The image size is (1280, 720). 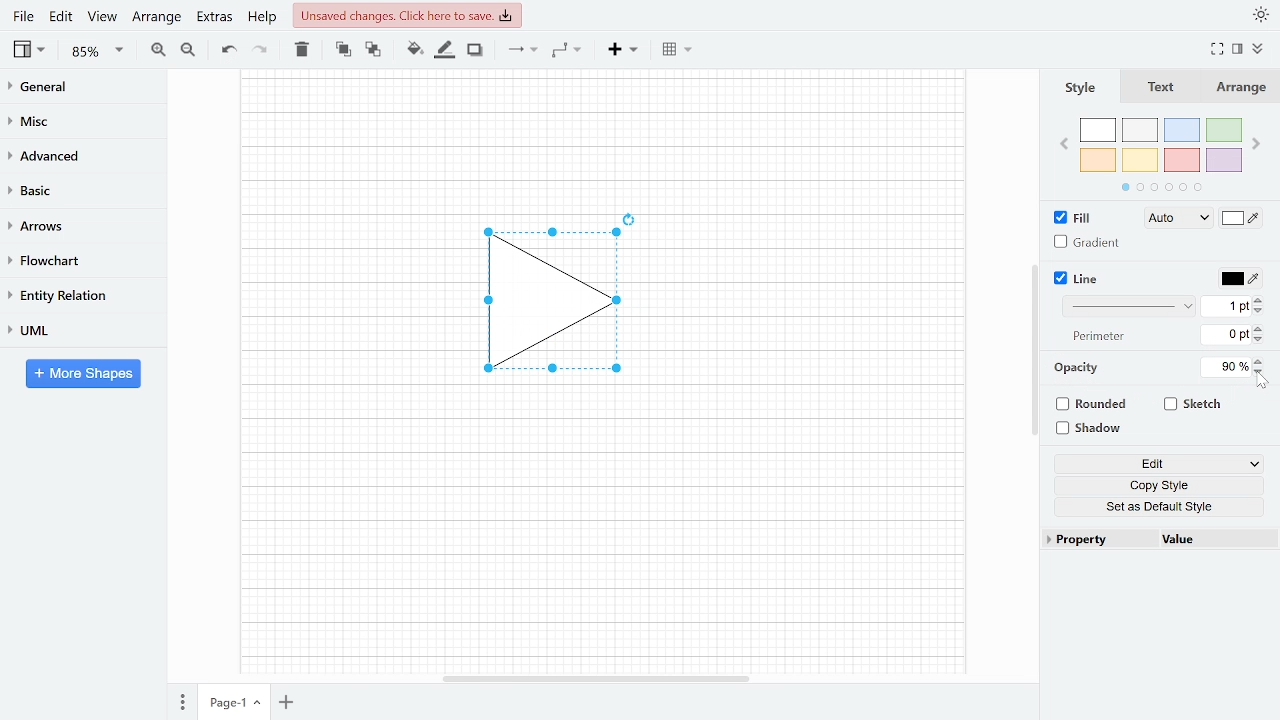 What do you see at coordinates (1238, 276) in the screenshot?
I see `Line color` at bounding box center [1238, 276].